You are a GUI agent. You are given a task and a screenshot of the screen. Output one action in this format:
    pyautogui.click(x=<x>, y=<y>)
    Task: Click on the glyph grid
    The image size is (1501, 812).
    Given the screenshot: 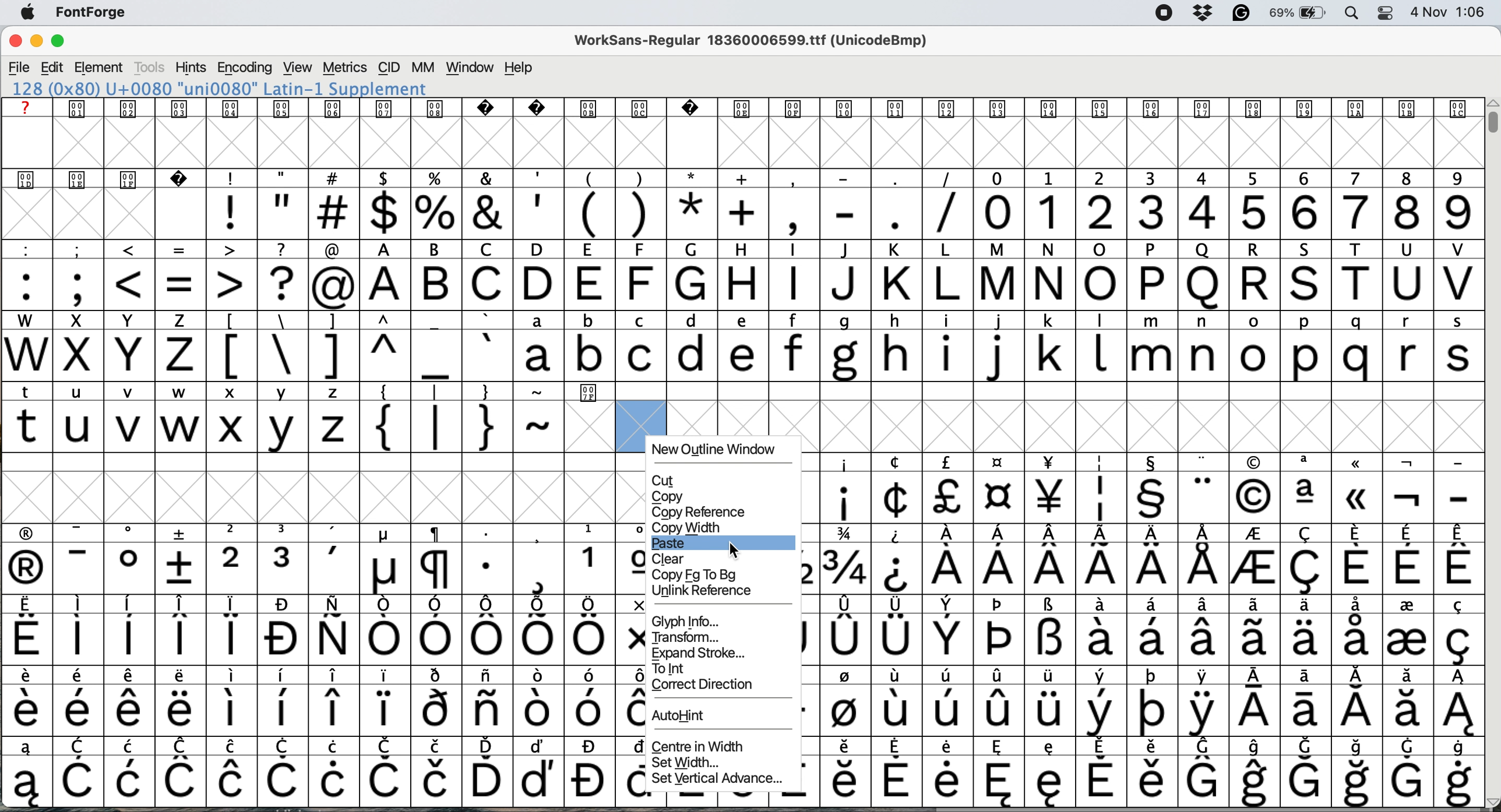 What is the action you would take?
    pyautogui.click(x=706, y=418)
    